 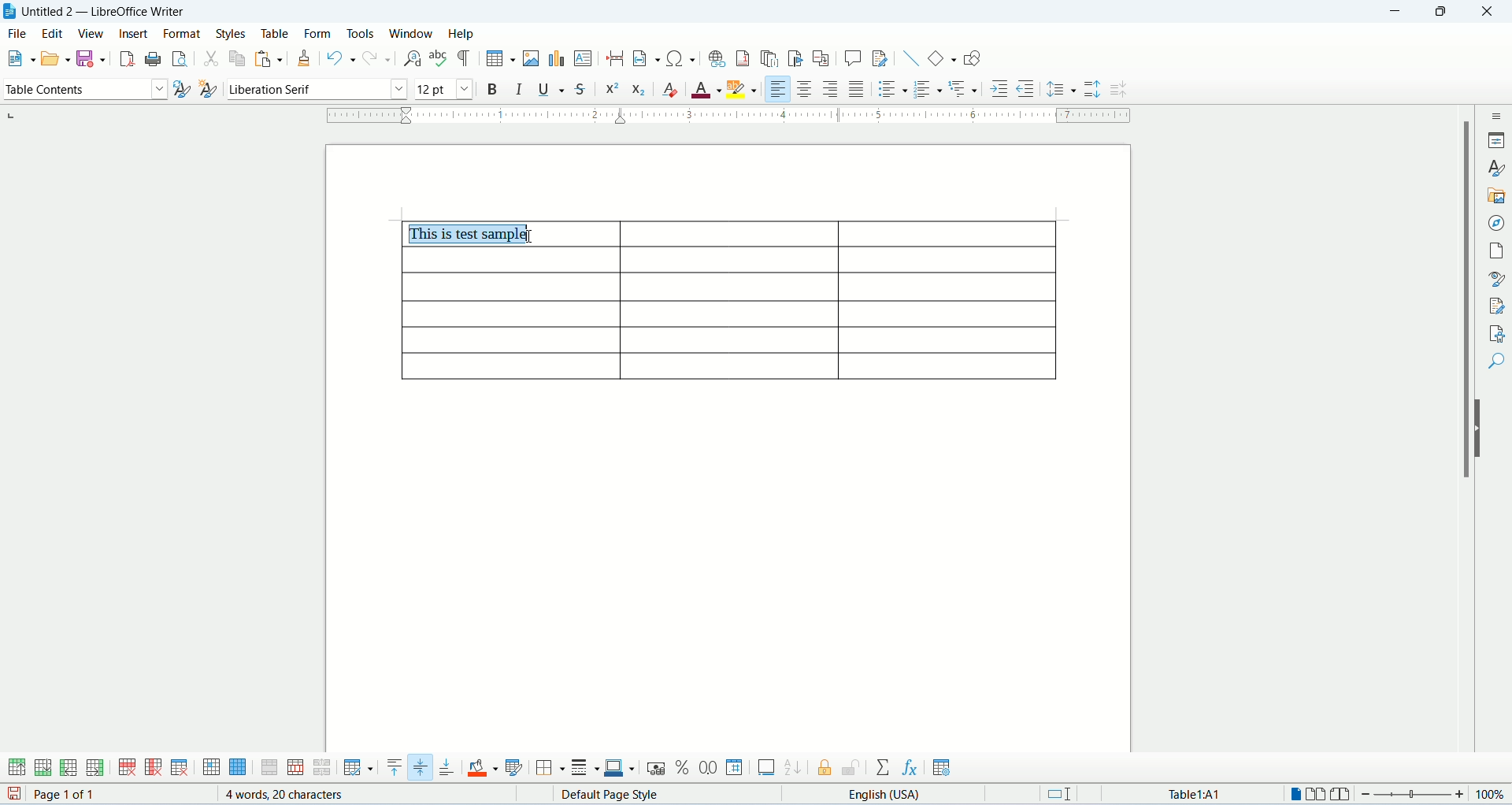 What do you see at coordinates (718, 57) in the screenshot?
I see `insert hyperlink` at bounding box center [718, 57].